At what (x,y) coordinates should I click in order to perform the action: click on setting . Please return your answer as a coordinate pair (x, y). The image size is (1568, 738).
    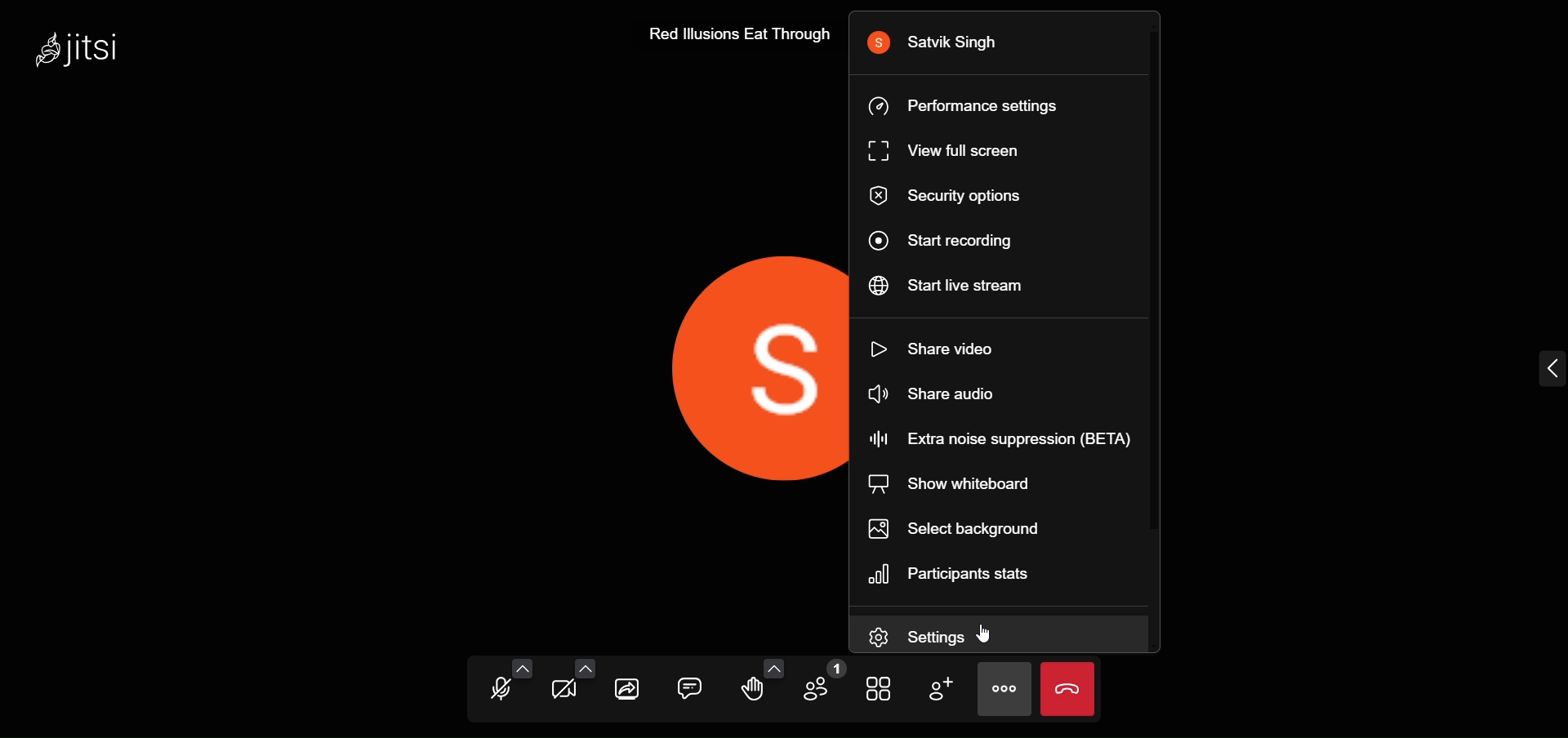
    Looking at the image, I should click on (928, 637).